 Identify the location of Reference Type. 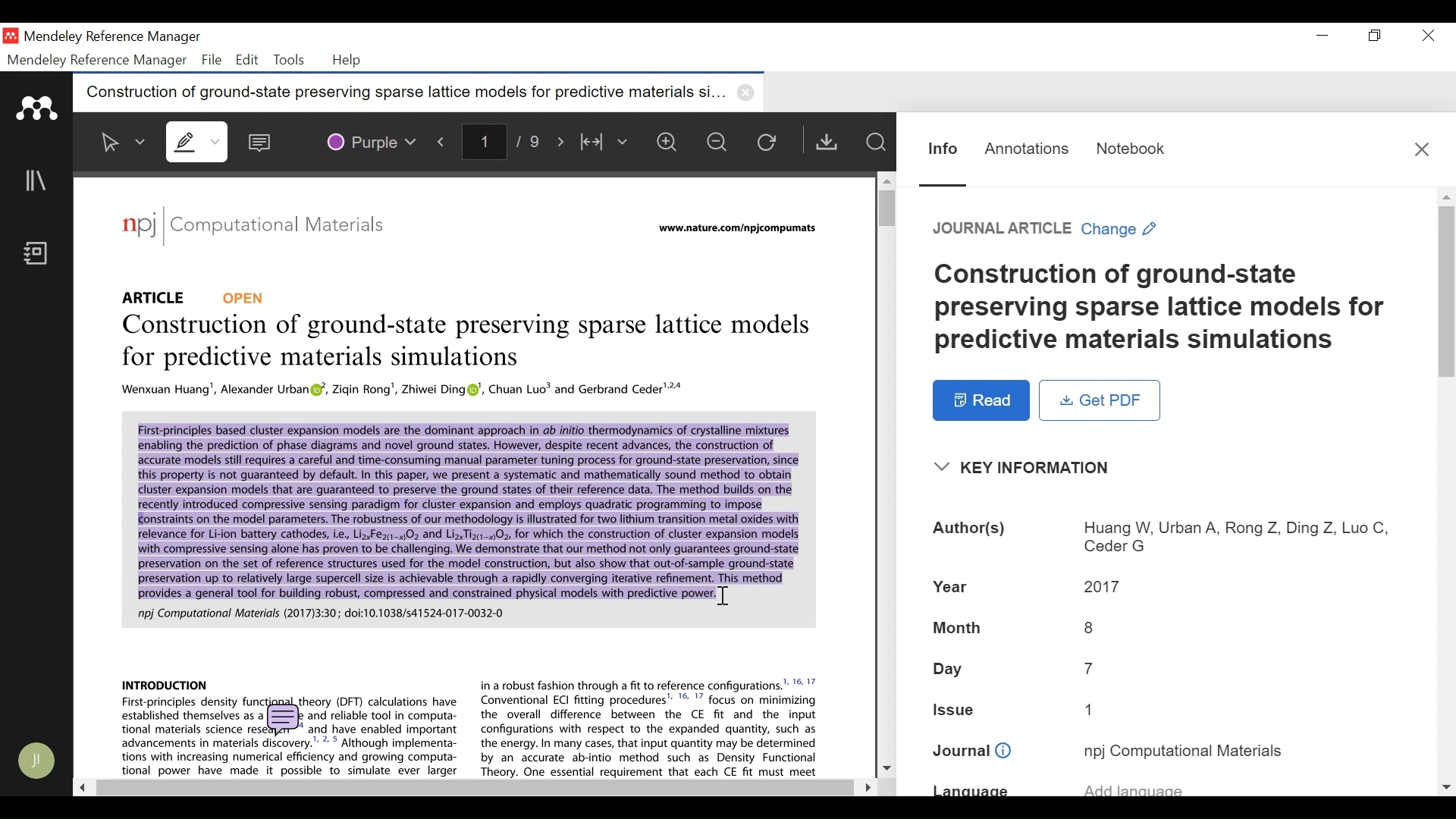
(195, 297).